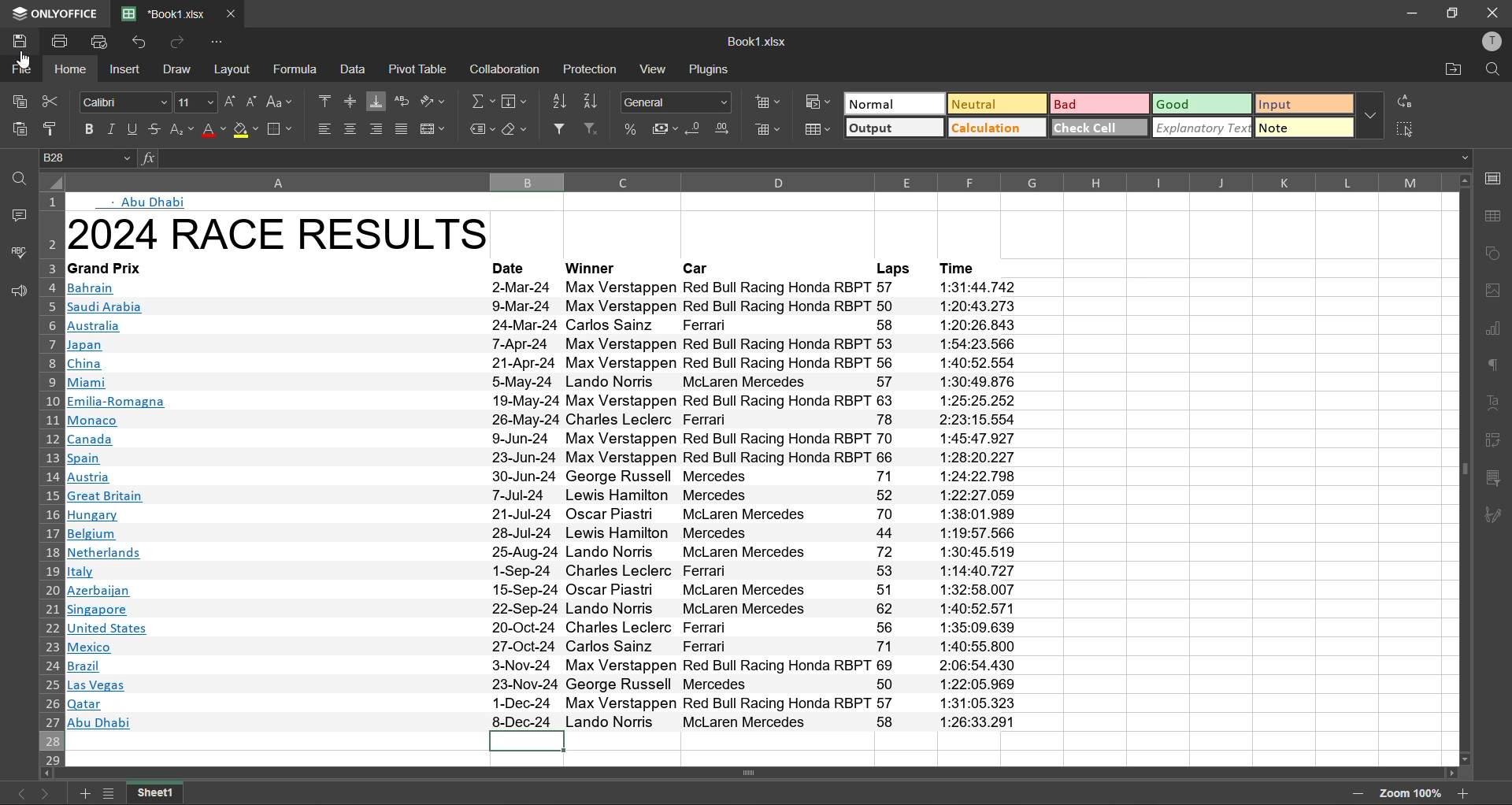 This screenshot has height=805, width=1512. Describe the element at coordinates (17, 794) in the screenshot. I see `previous` at that location.